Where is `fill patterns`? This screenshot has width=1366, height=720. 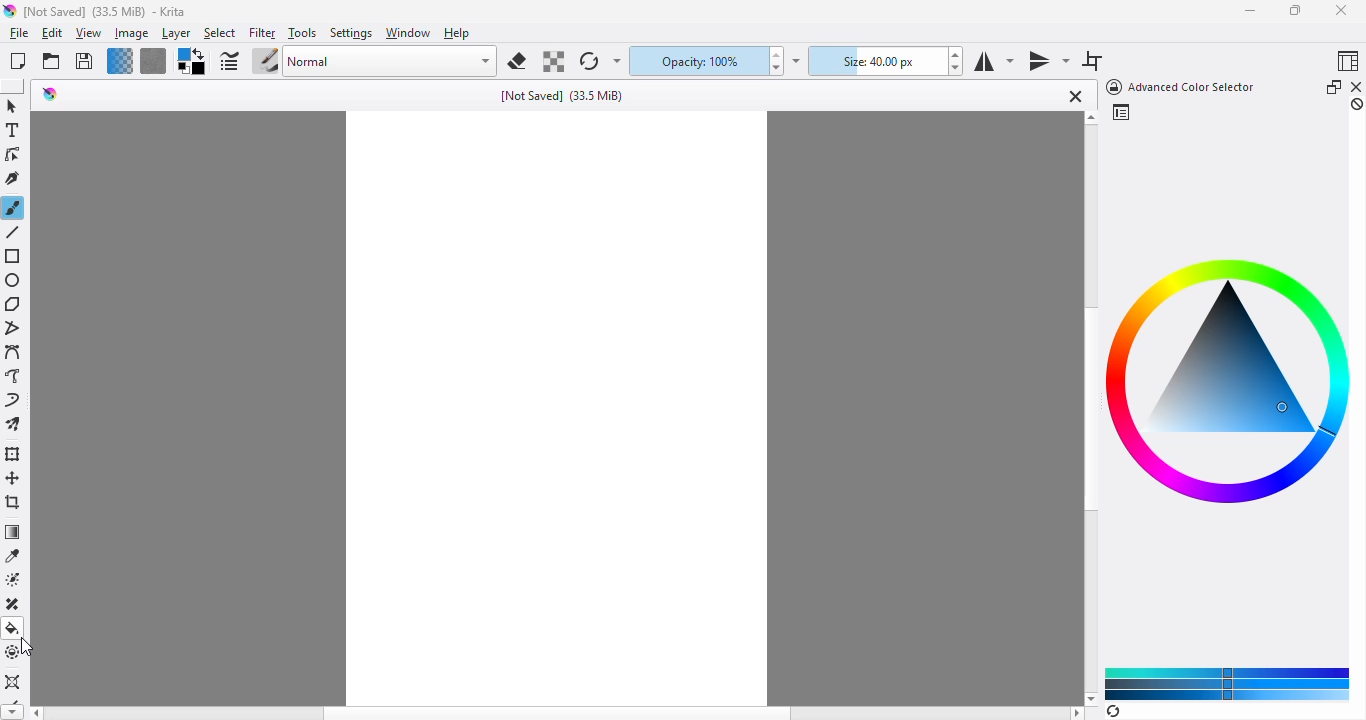 fill patterns is located at coordinates (154, 61).